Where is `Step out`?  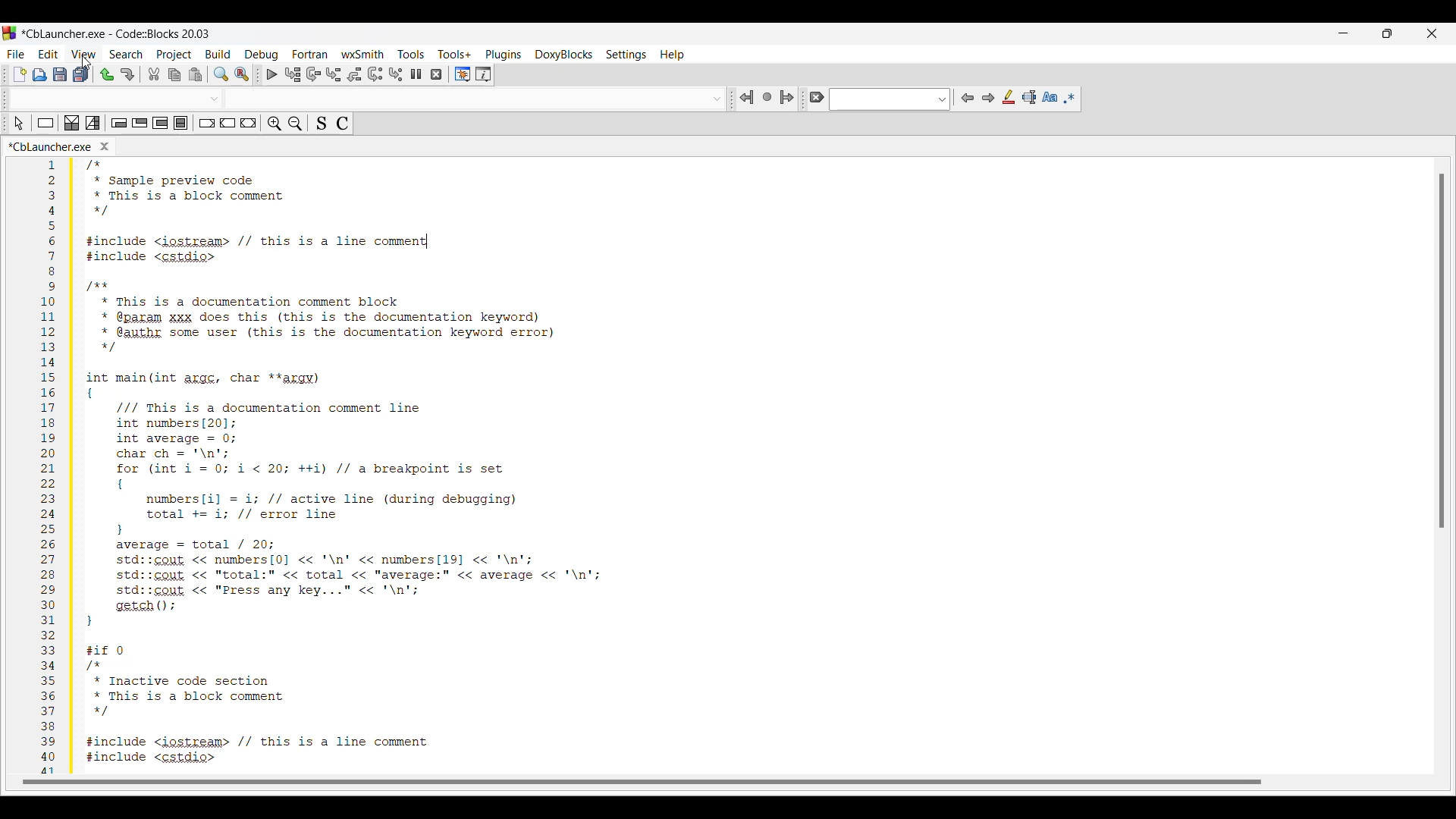 Step out is located at coordinates (354, 74).